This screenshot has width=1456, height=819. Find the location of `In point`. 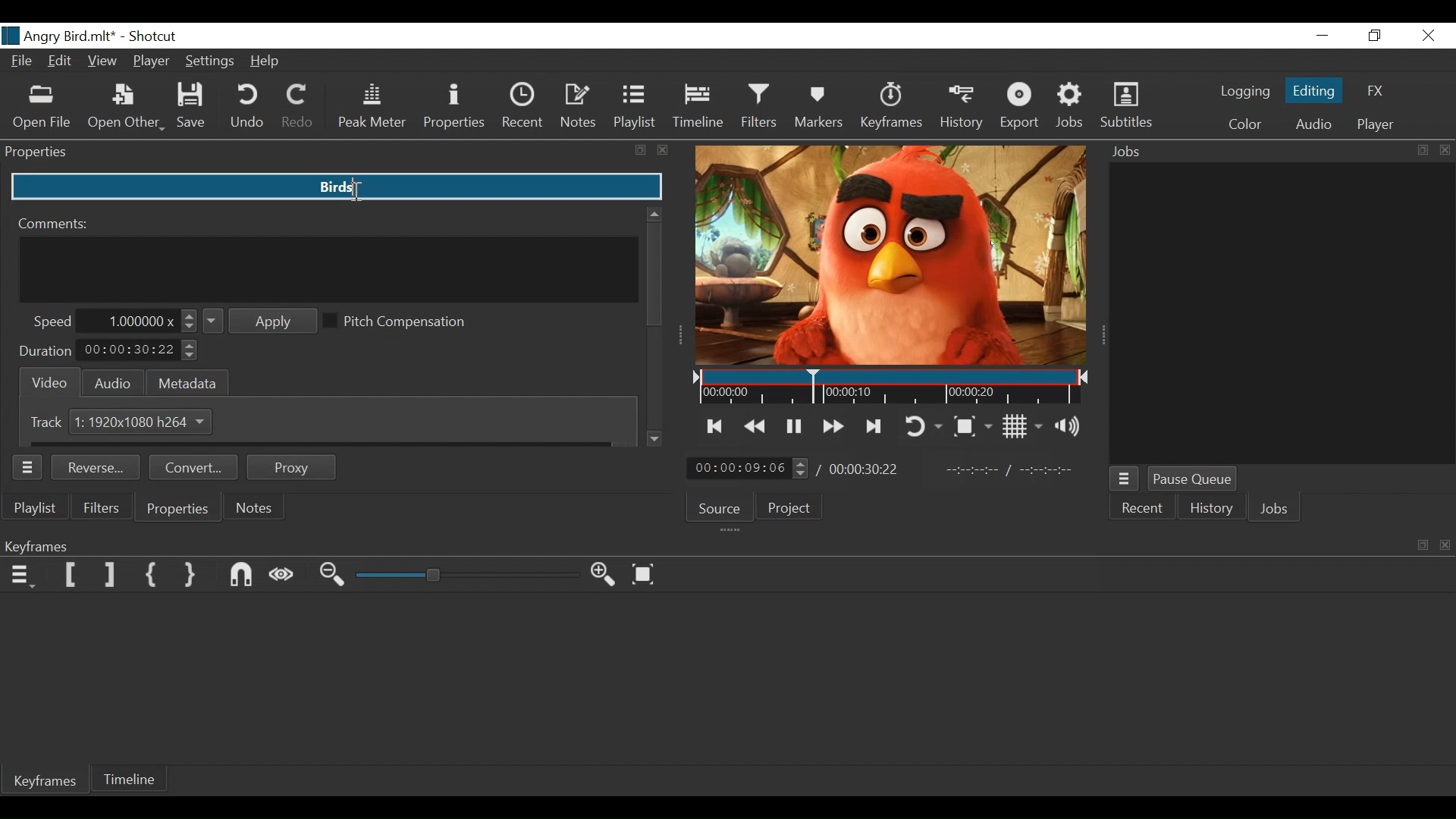

In point is located at coordinates (1009, 470).